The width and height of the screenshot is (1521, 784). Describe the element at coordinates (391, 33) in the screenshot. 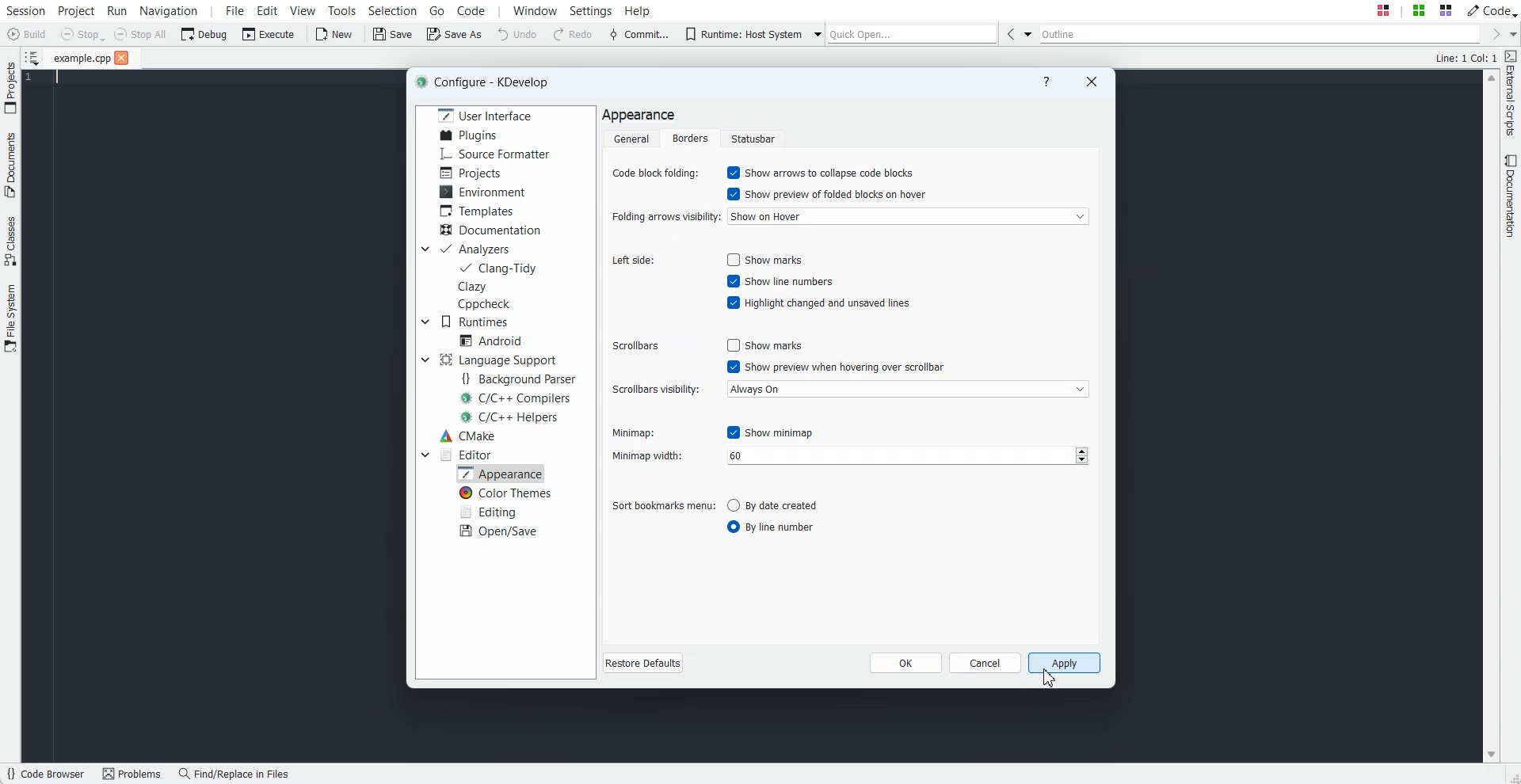

I see `Save` at that location.